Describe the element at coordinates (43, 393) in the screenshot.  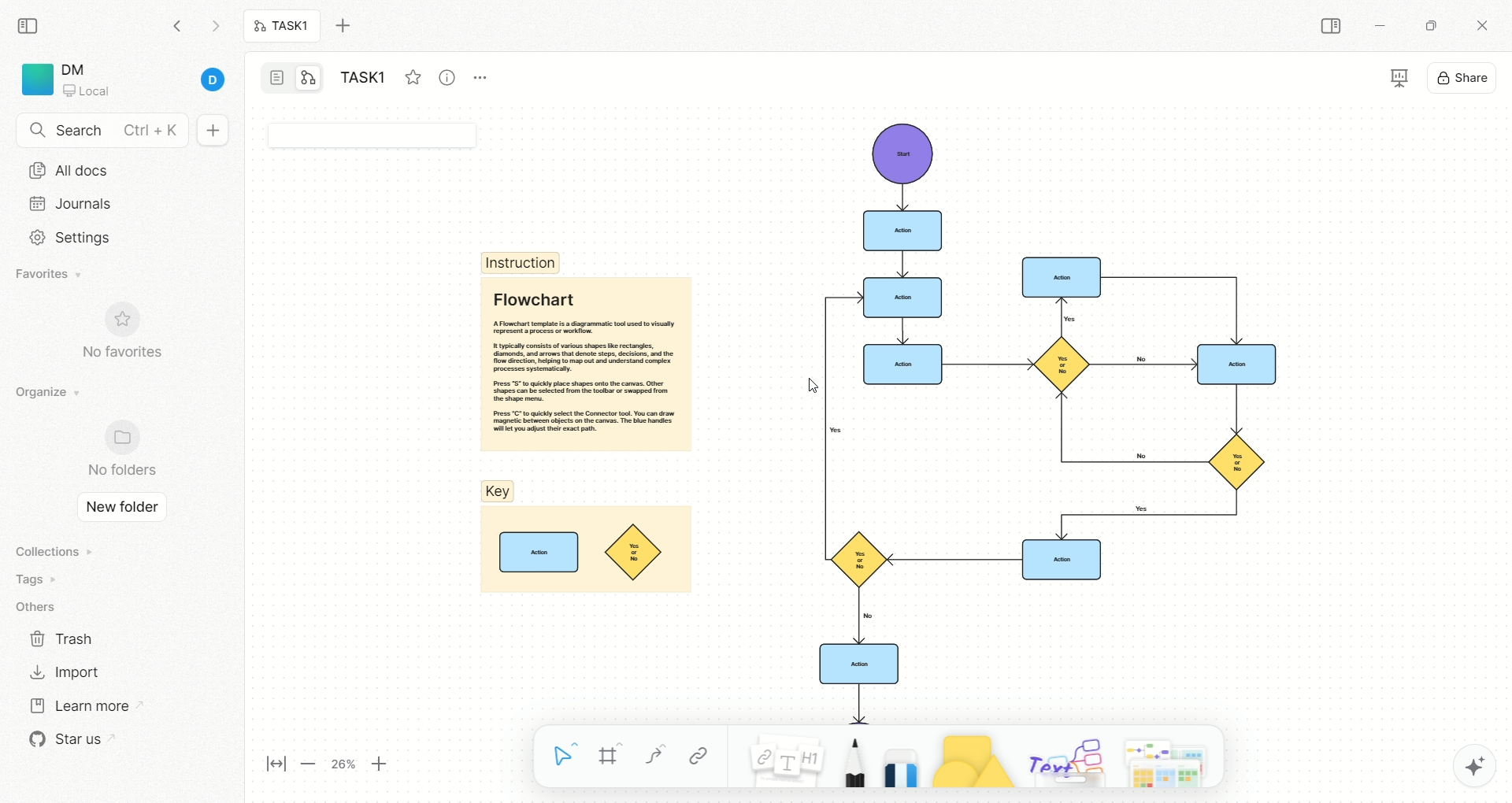
I see `organize` at that location.